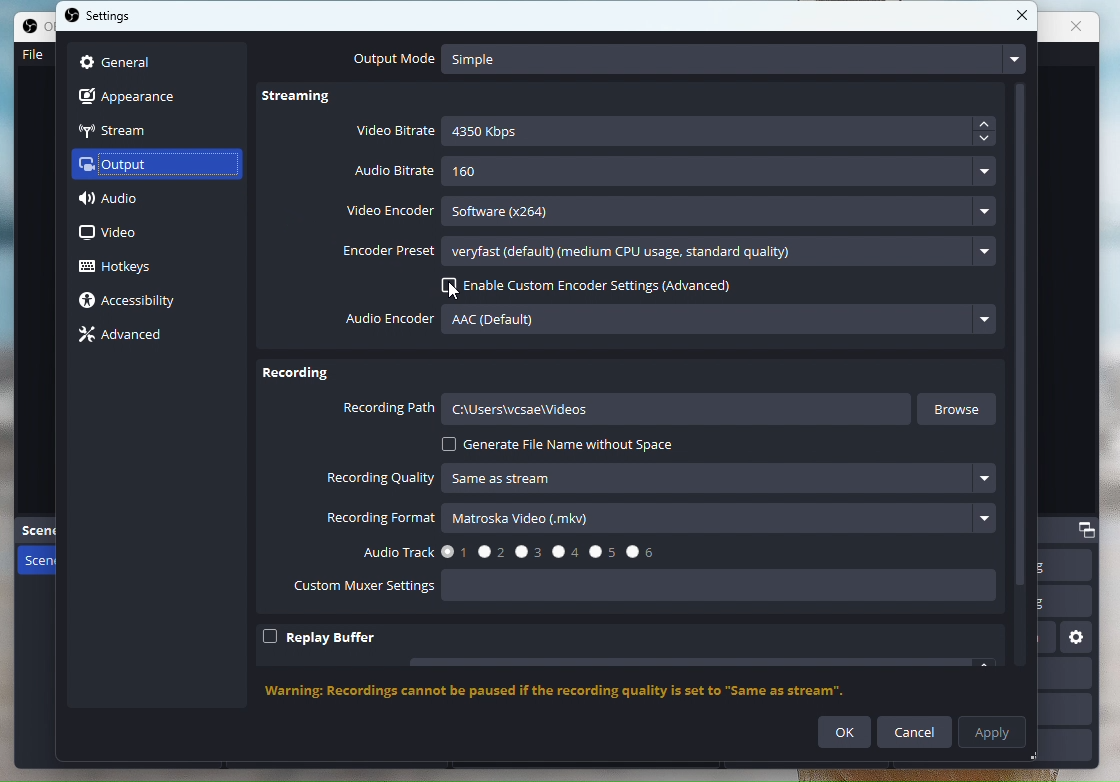 The width and height of the screenshot is (1120, 782). Describe the element at coordinates (128, 335) in the screenshot. I see `Advance` at that location.